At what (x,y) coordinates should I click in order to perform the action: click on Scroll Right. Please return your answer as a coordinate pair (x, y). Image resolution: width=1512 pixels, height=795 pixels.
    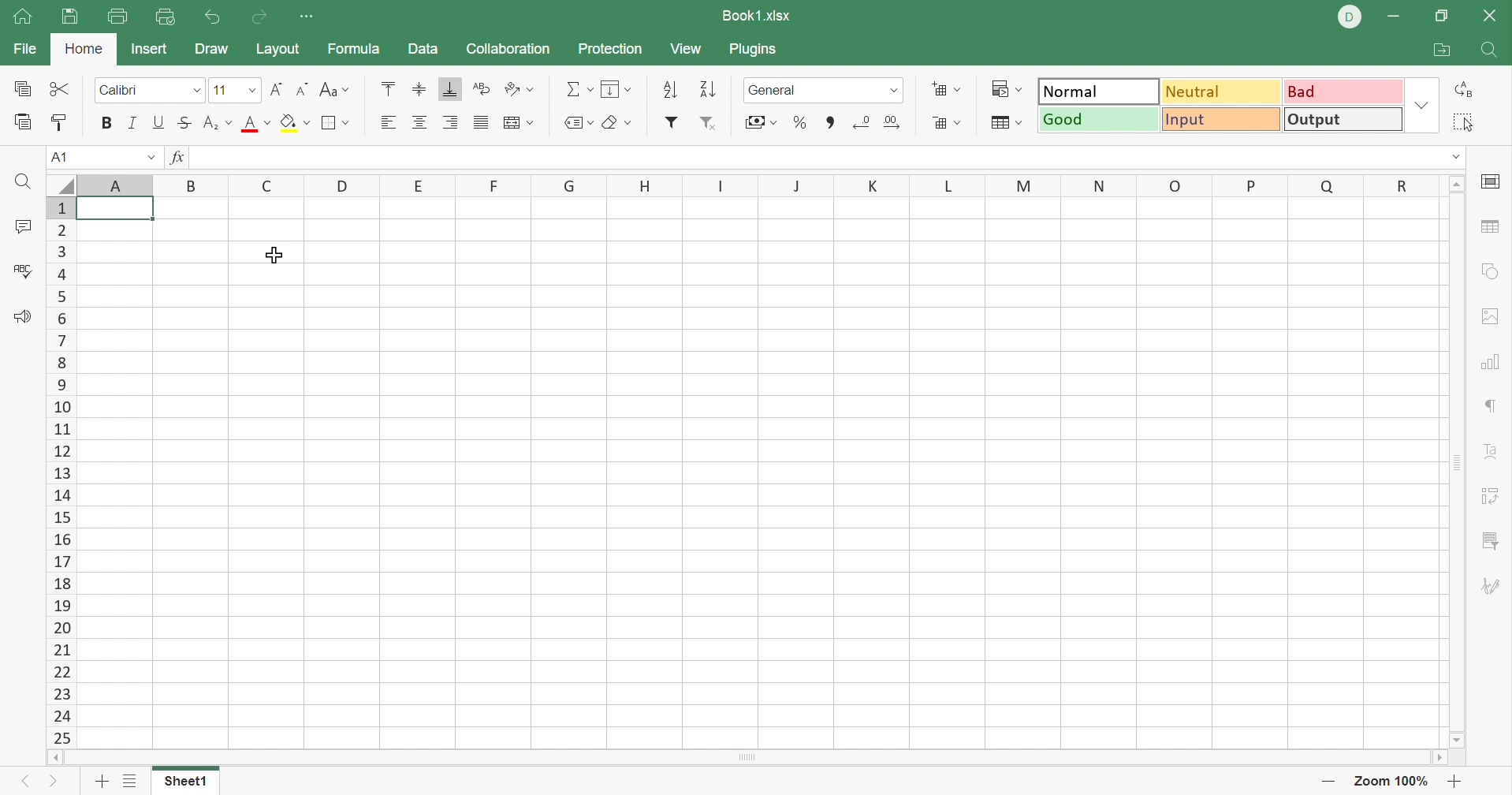
    Looking at the image, I should click on (1437, 757).